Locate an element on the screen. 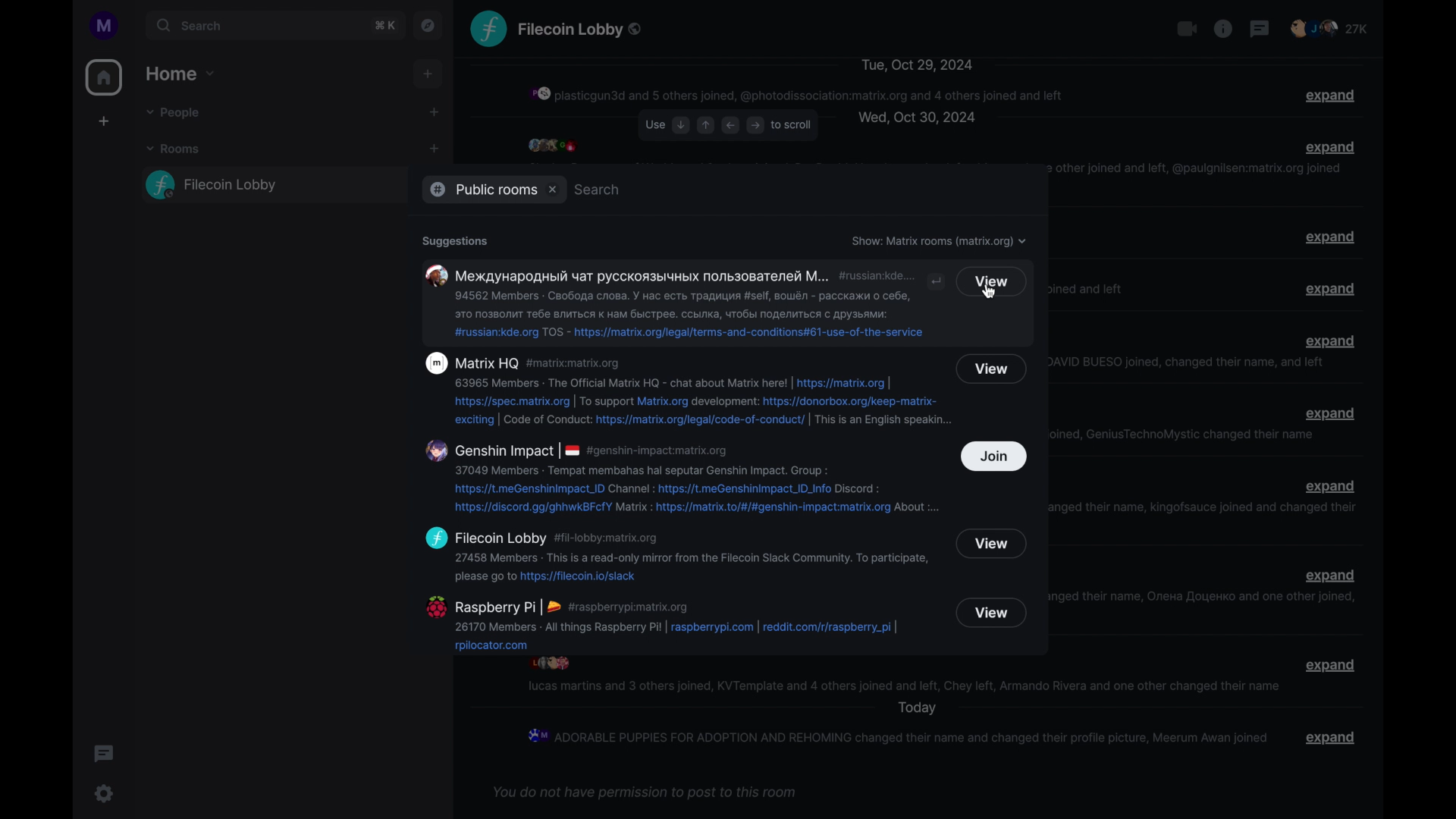 This screenshot has width=1456, height=819. expand is located at coordinates (1331, 289).